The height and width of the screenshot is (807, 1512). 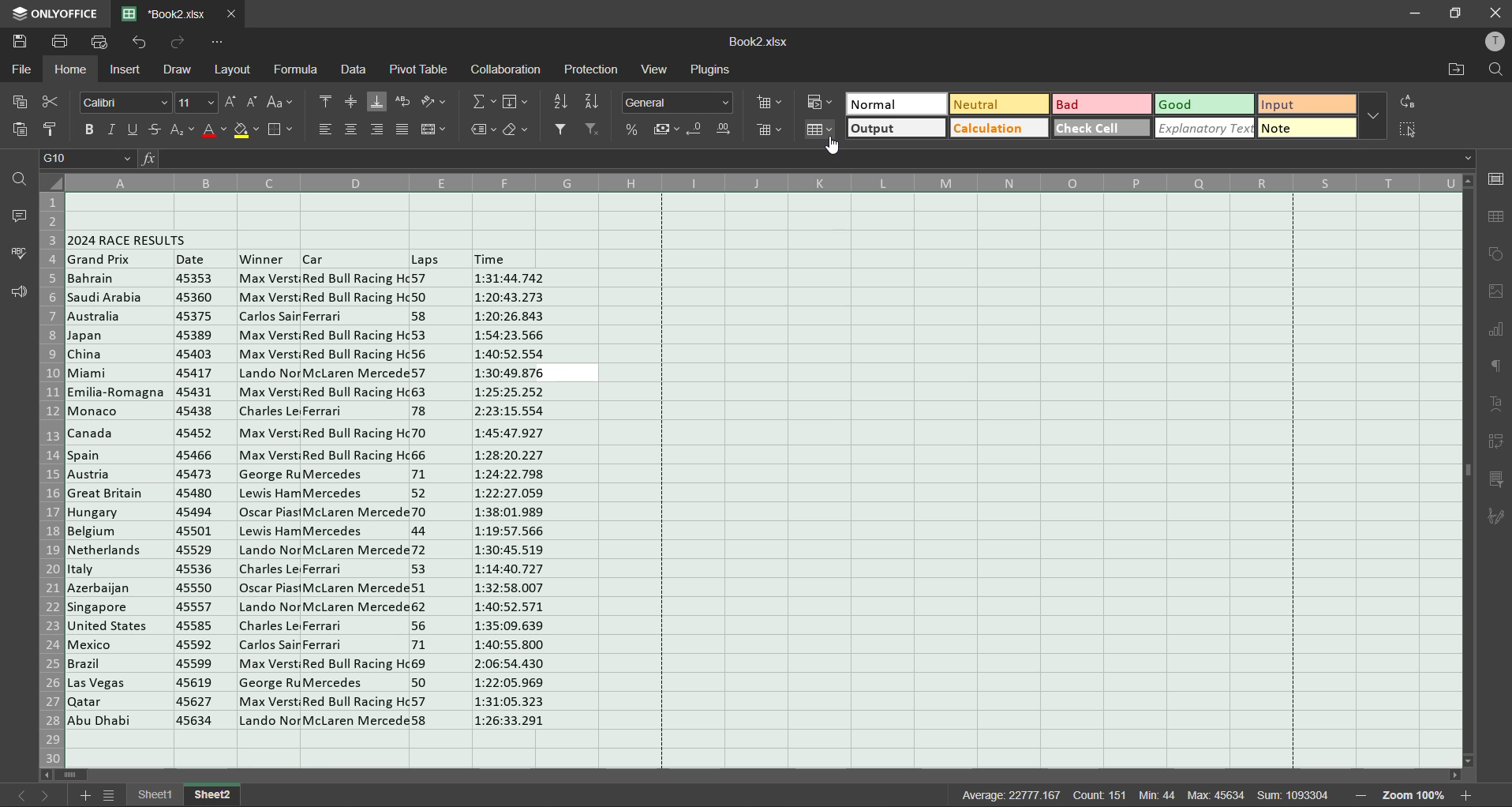 I want to click on cell settings, so click(x=1497, y=179).